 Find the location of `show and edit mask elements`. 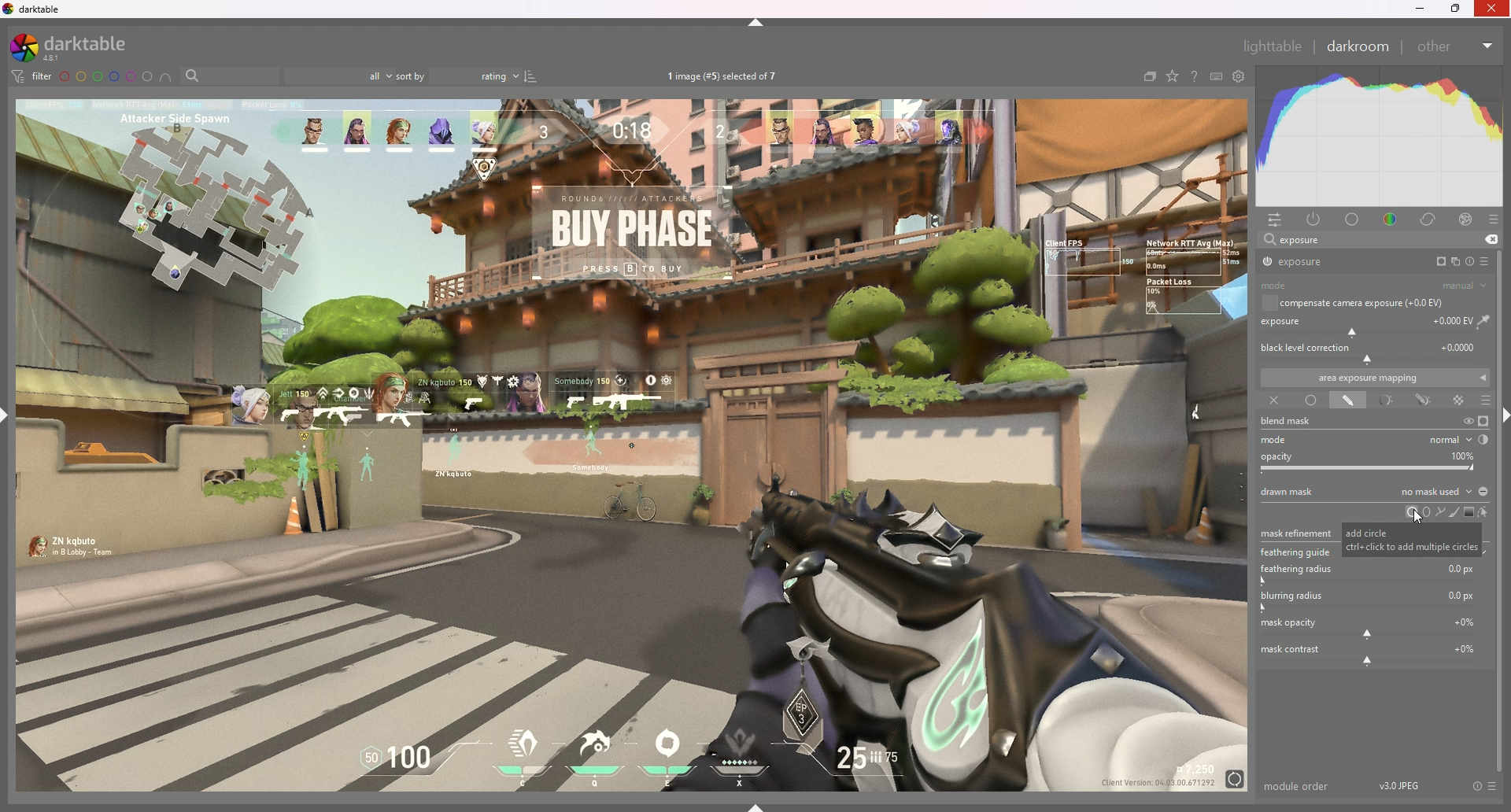

show and edit mask elements is located at coordinates (1484, 512).